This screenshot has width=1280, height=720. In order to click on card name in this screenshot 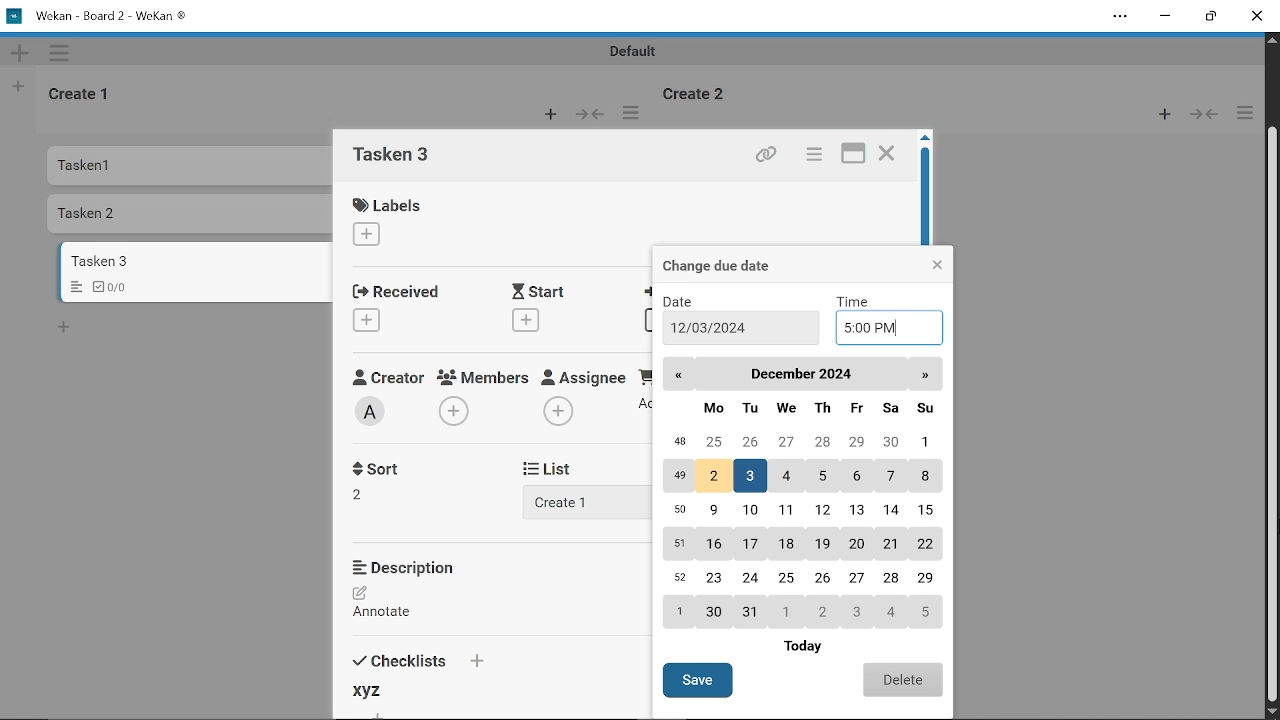, I will do `click(399, 157)`.